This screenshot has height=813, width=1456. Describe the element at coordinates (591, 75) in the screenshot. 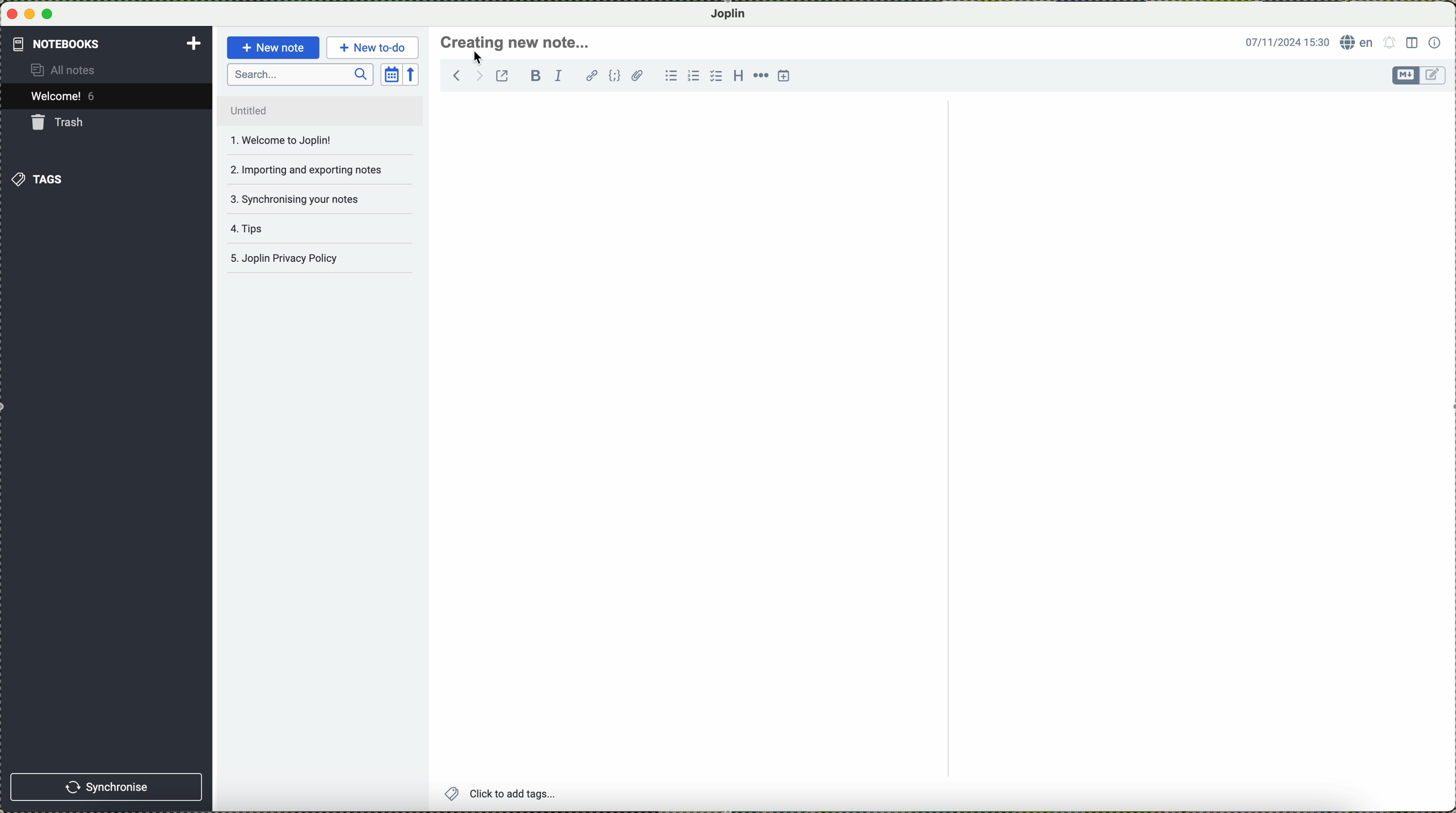

I see `hyperlink` at that location.